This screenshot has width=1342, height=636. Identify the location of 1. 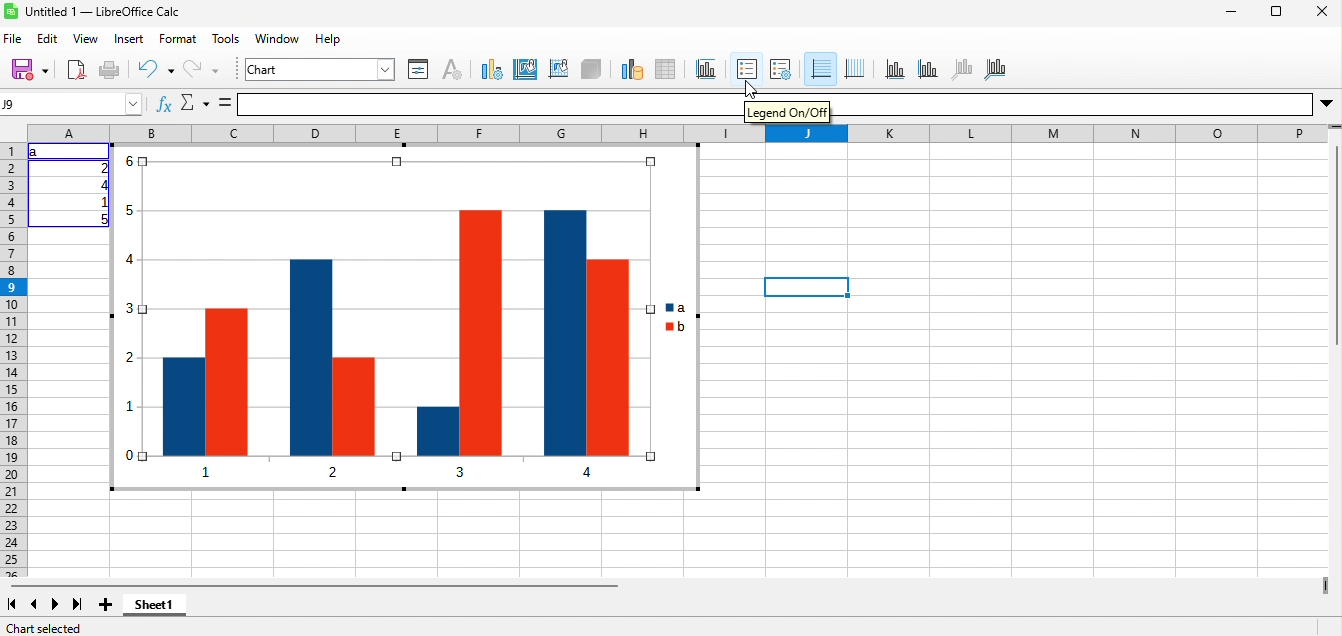
(103, 202).